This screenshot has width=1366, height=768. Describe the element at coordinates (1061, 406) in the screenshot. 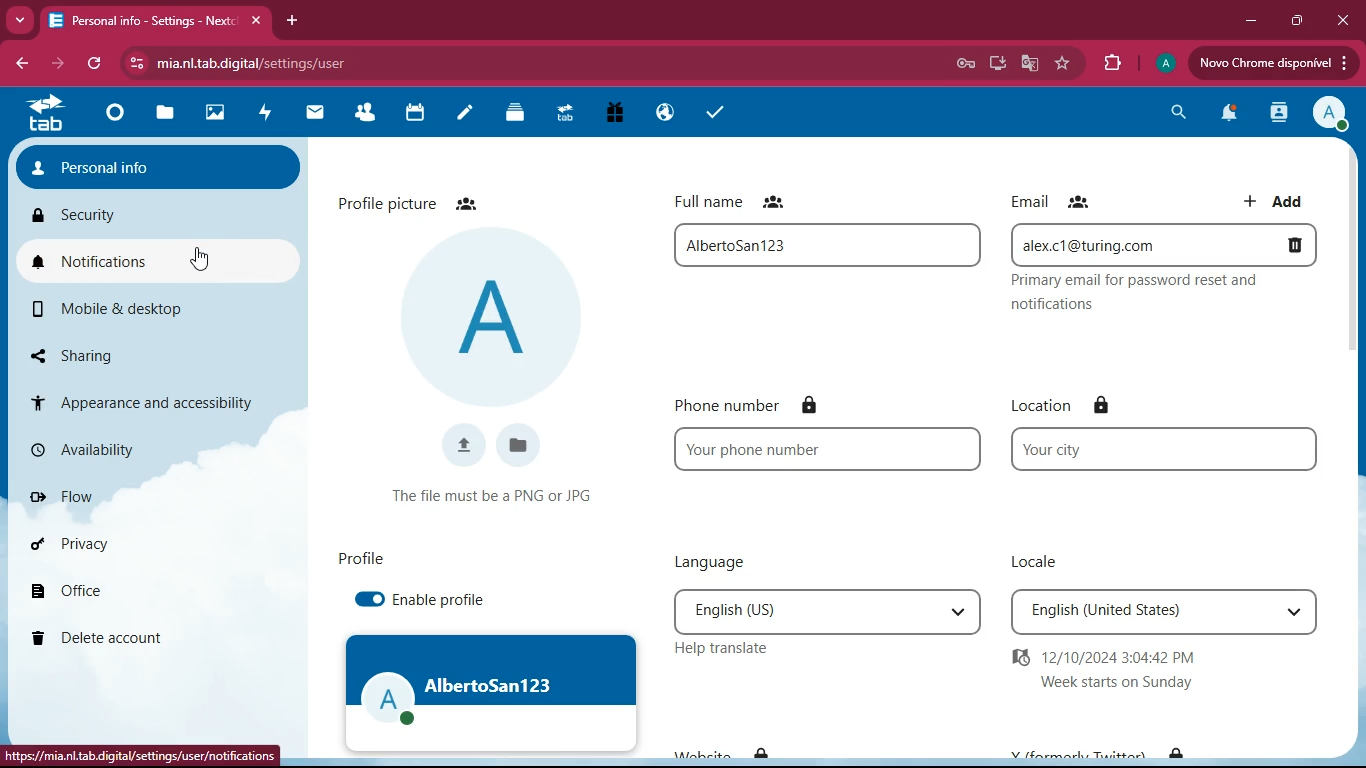

I see `location` at that location.